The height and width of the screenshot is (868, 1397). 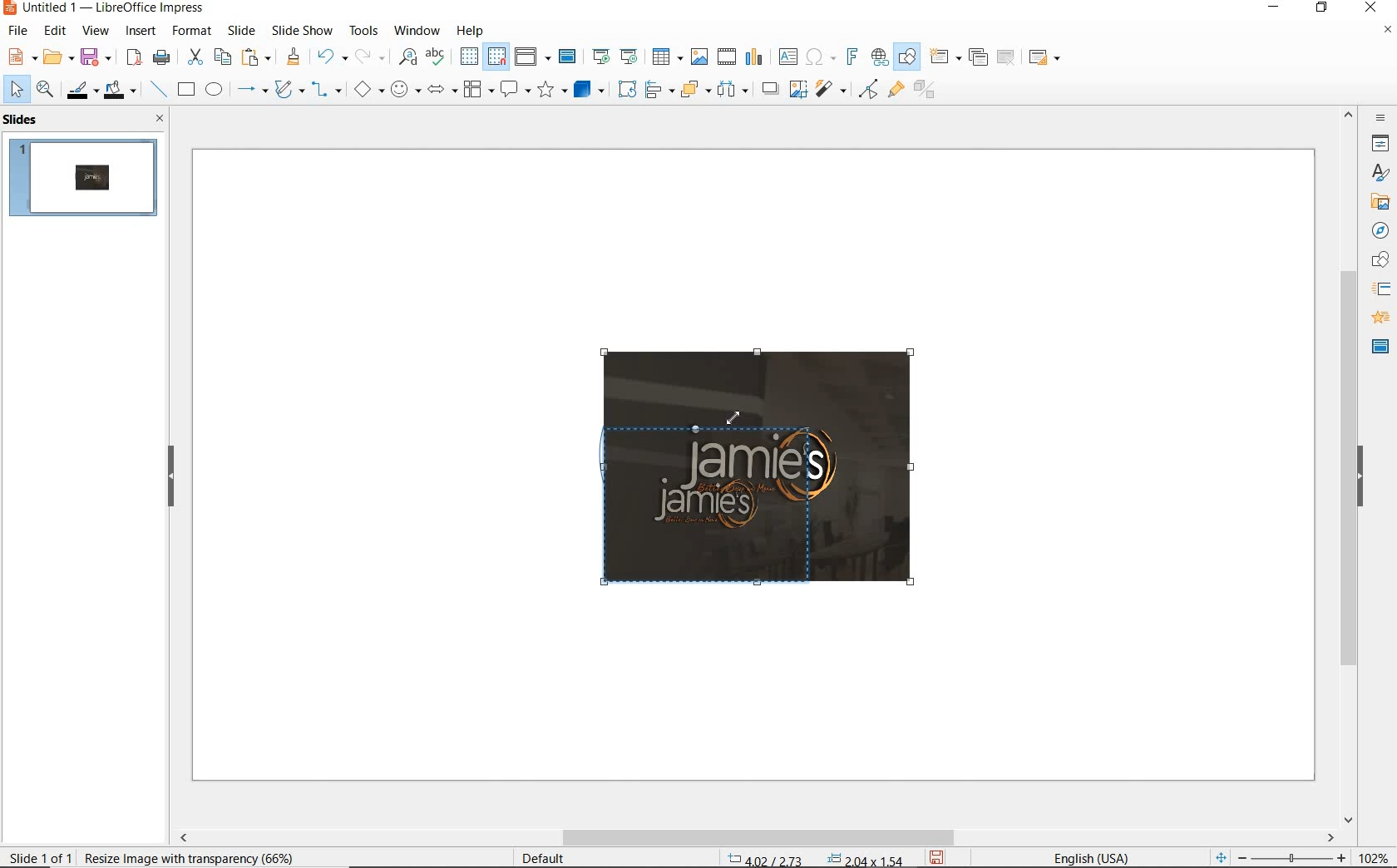 What do you see at coordinates (570, 57) in the screenshot?
I see `master slide` at bounding box center [570, 57].